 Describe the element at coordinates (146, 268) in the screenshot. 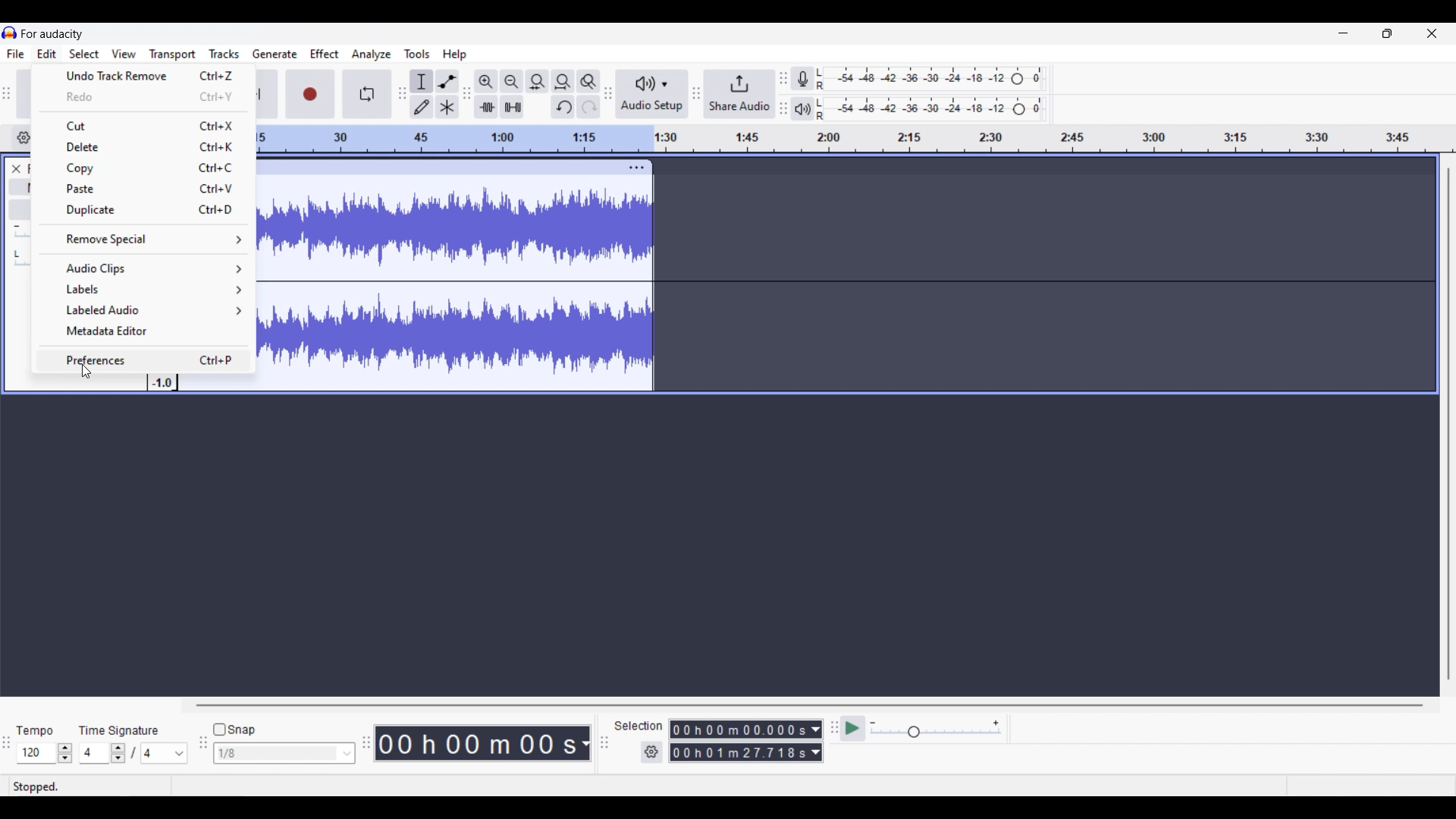

I see `Audio clip options` at that location.